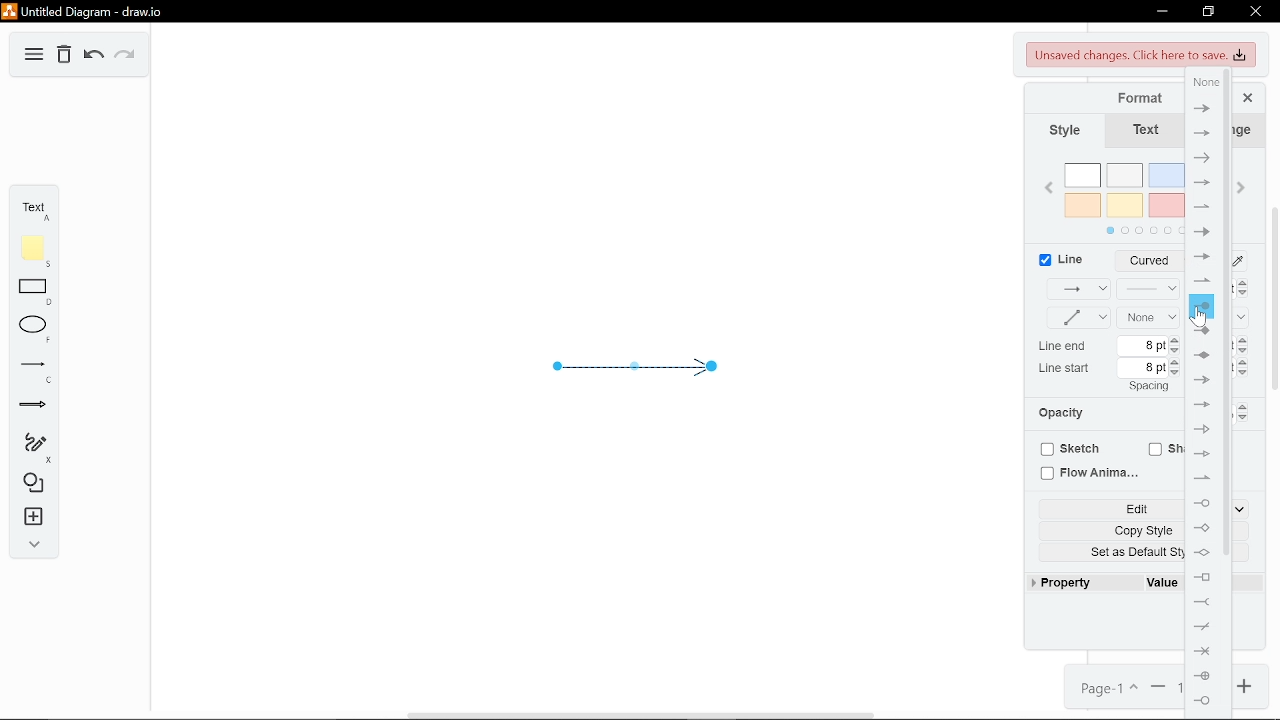  Describe the element at coordinates (34, 292) in the screenshot. I see `Rectangle` at that location.